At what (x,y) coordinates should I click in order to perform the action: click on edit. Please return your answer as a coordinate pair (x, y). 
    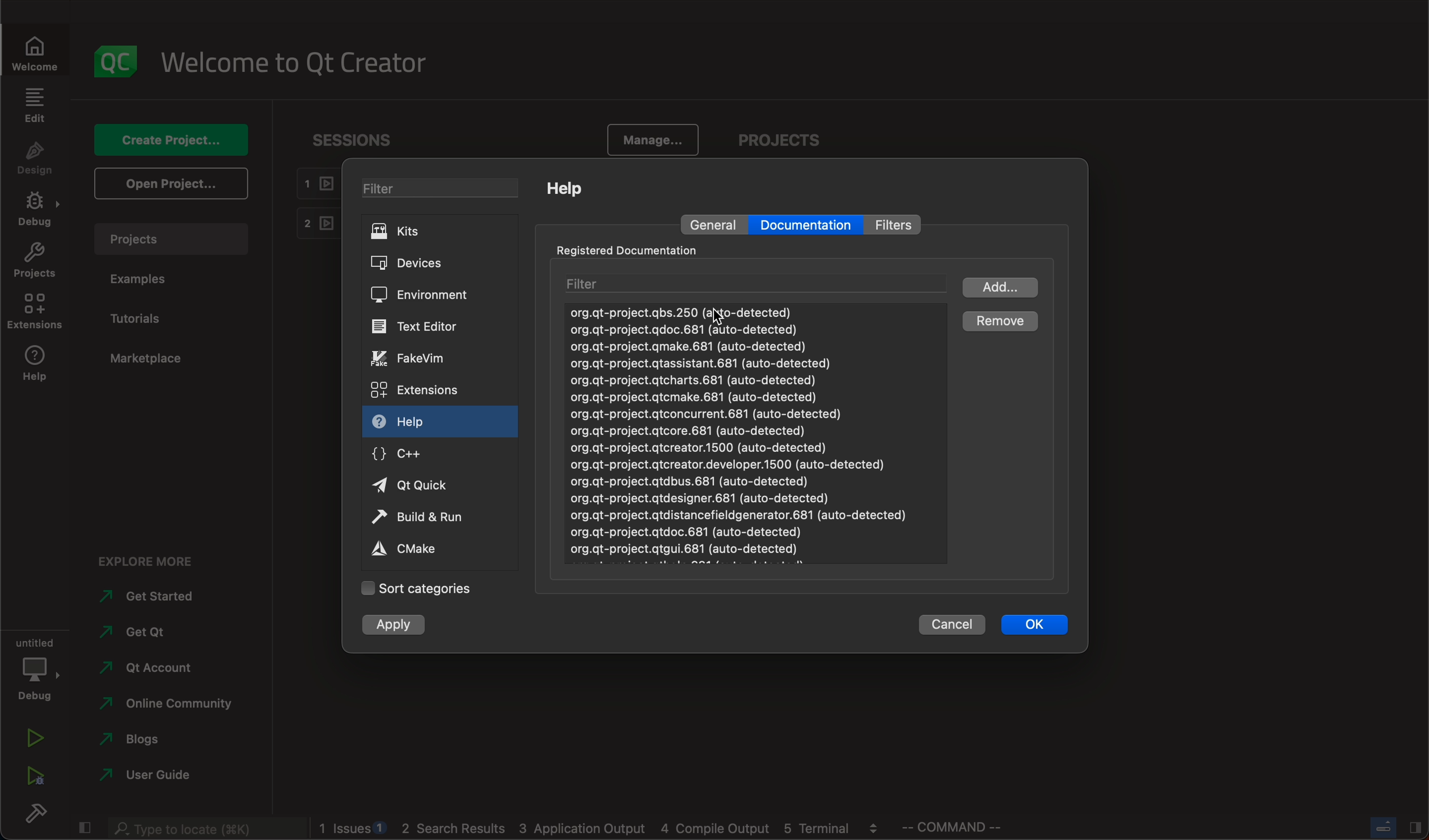
    Looking at the image, I should click on (38, 108).